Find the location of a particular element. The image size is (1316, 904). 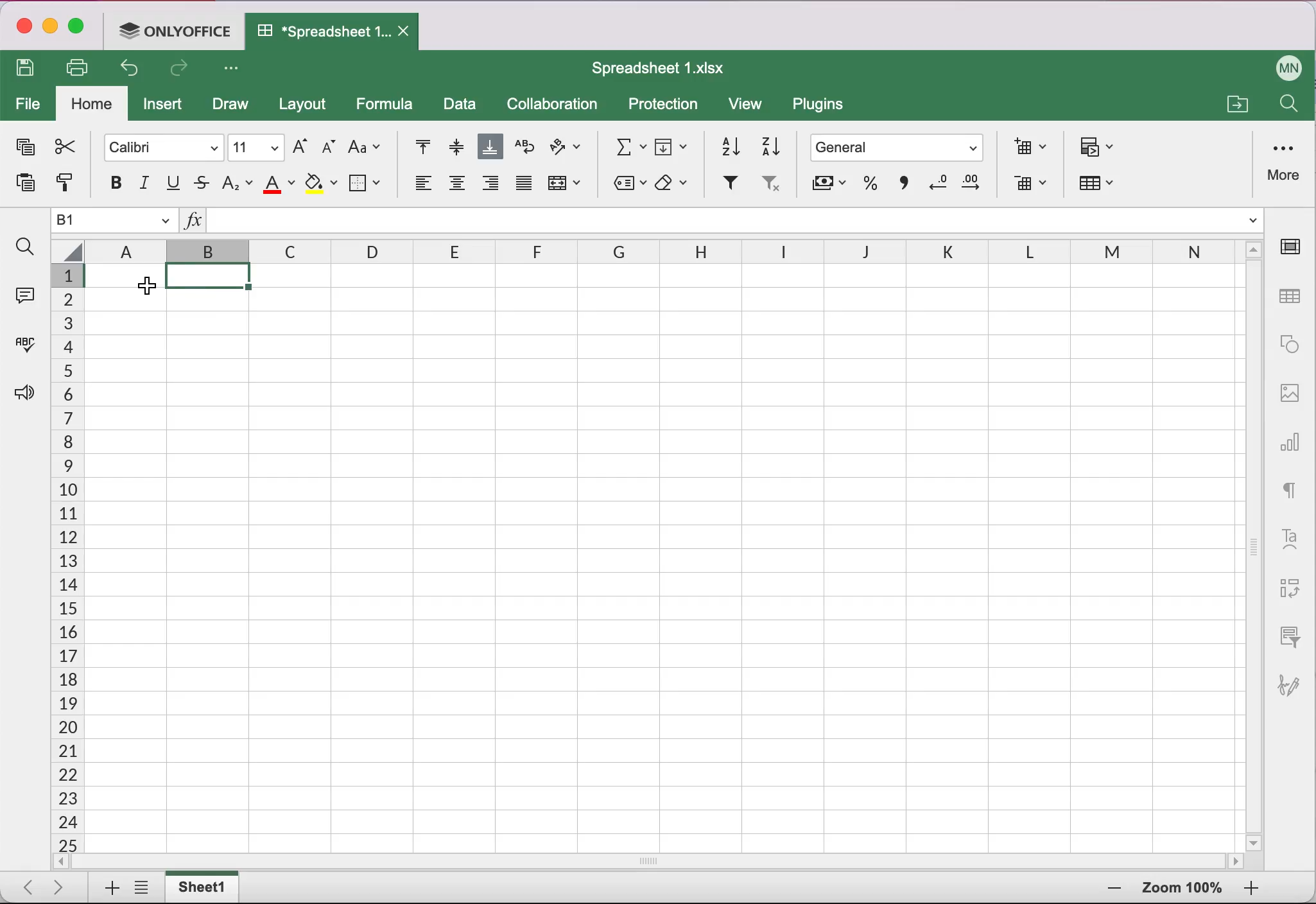

draw is located at coordinates (229, 106).